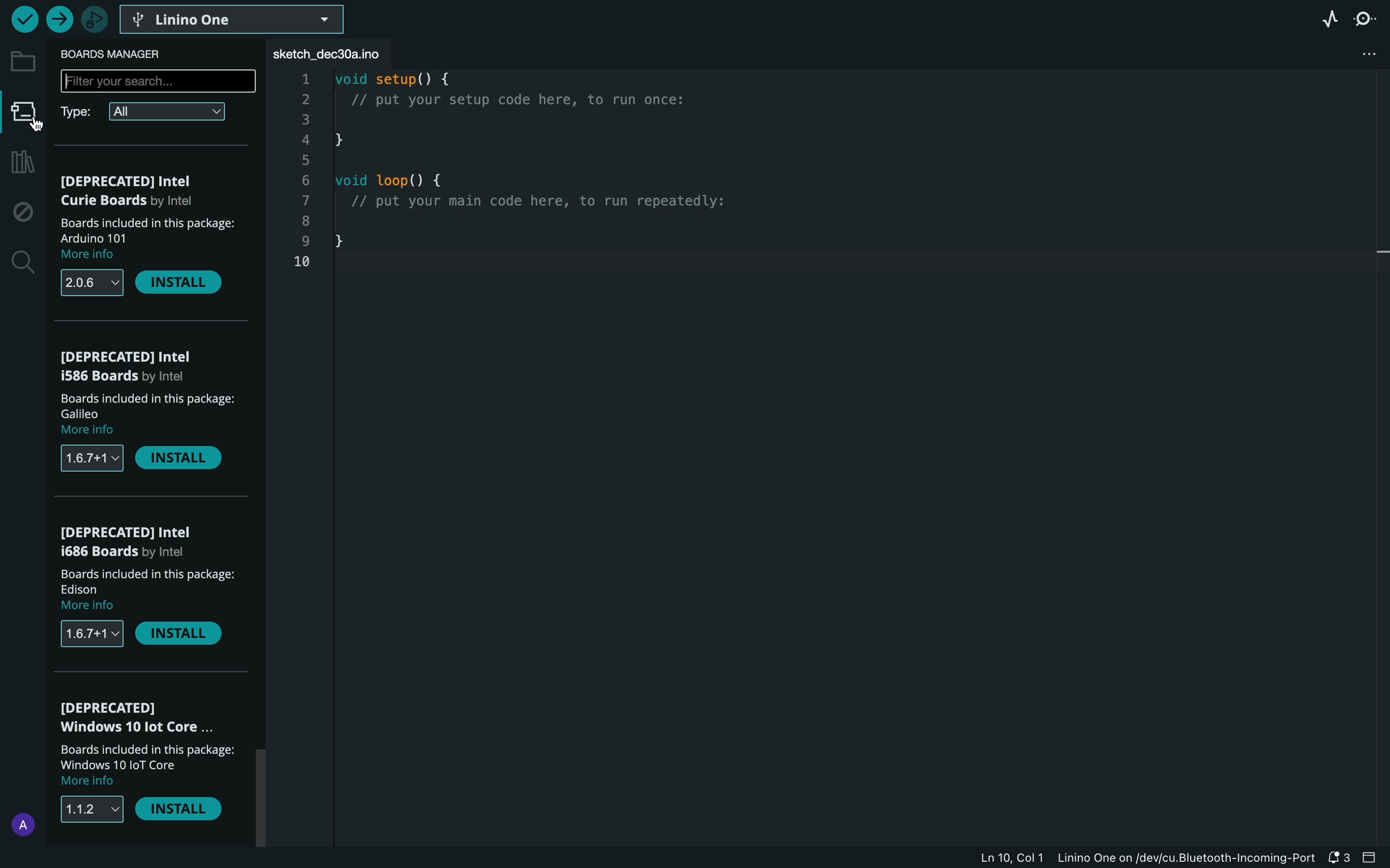 The height and width of the screenshot is (868, 1390). Describe the element at coordinates (122, 52) in the screenshot. I see `boards manager` at that location.